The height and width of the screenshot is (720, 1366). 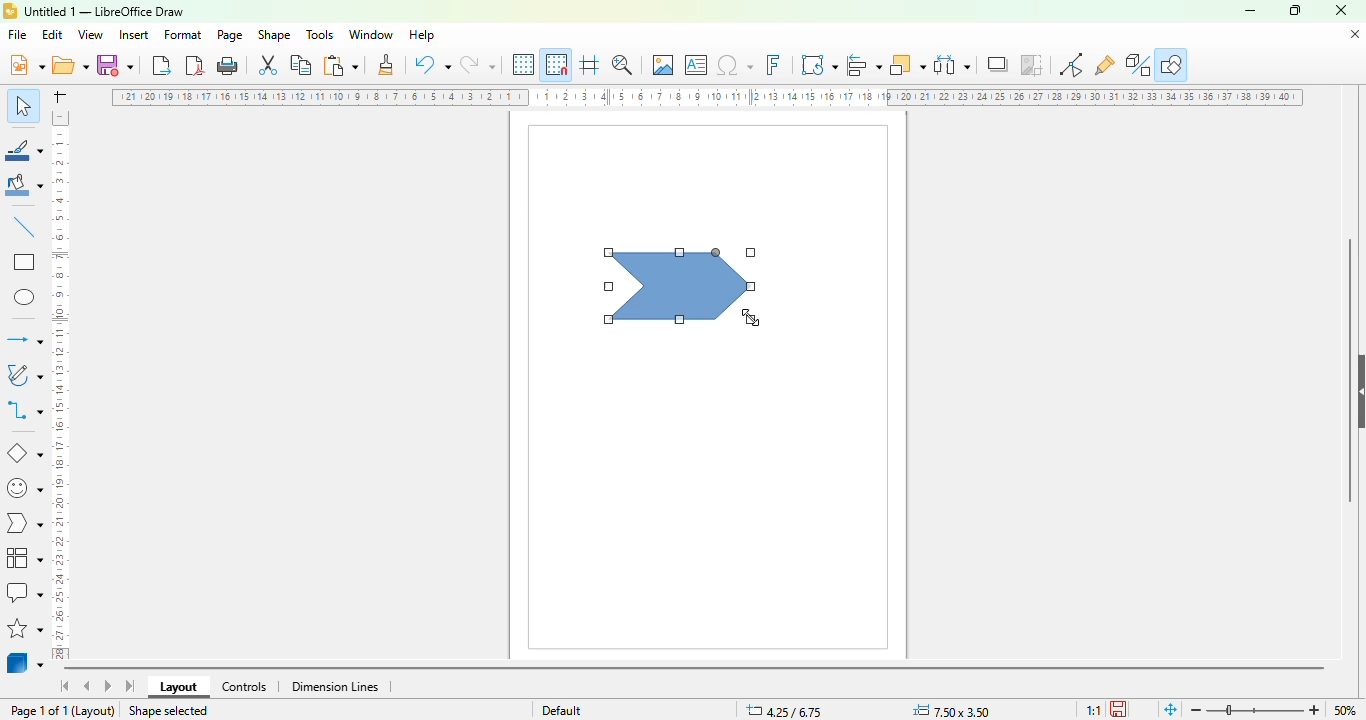 I want to click on maximize, so click(x=1295, y=10).